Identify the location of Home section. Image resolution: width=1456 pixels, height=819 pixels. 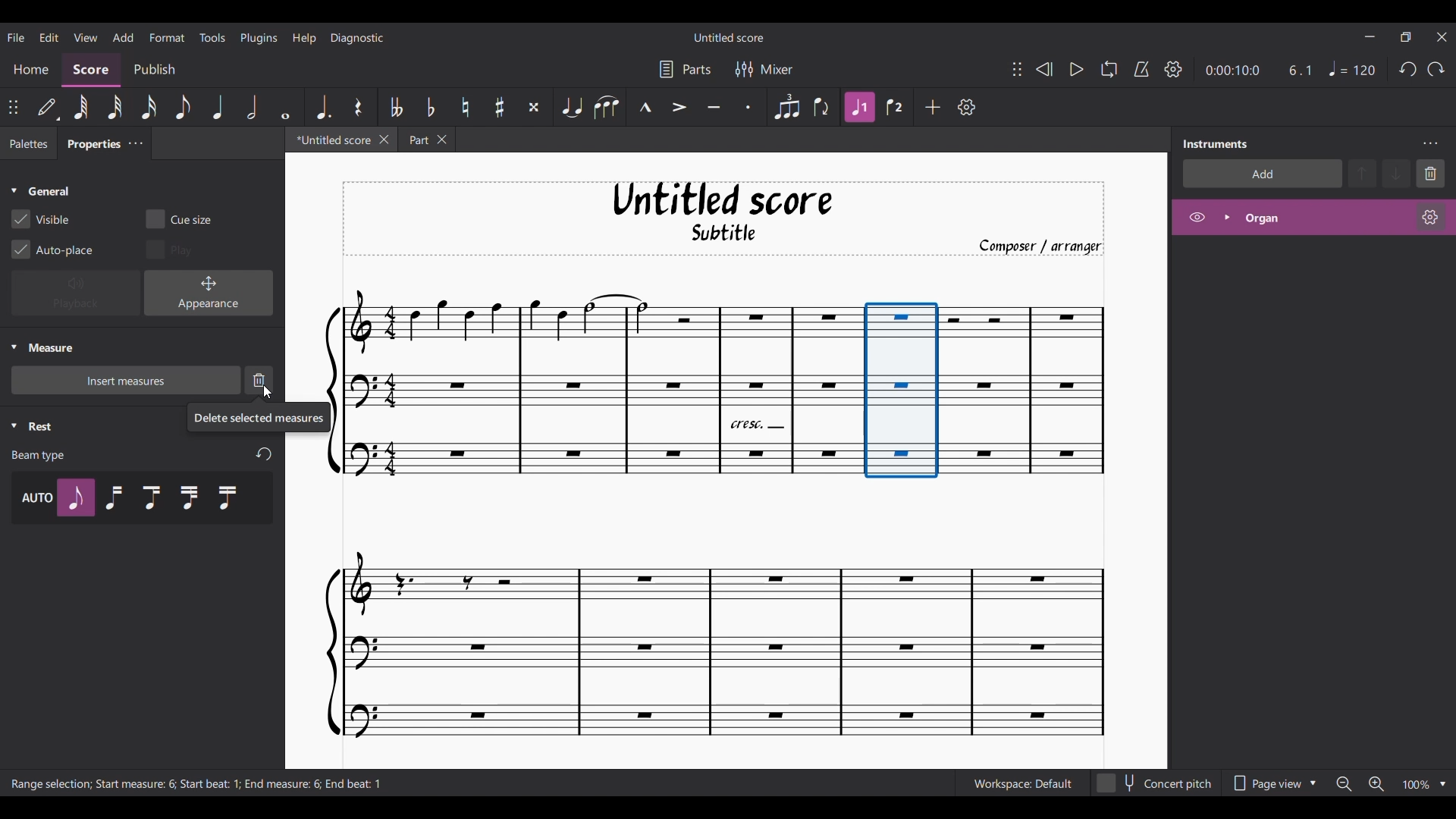
(30, 71).